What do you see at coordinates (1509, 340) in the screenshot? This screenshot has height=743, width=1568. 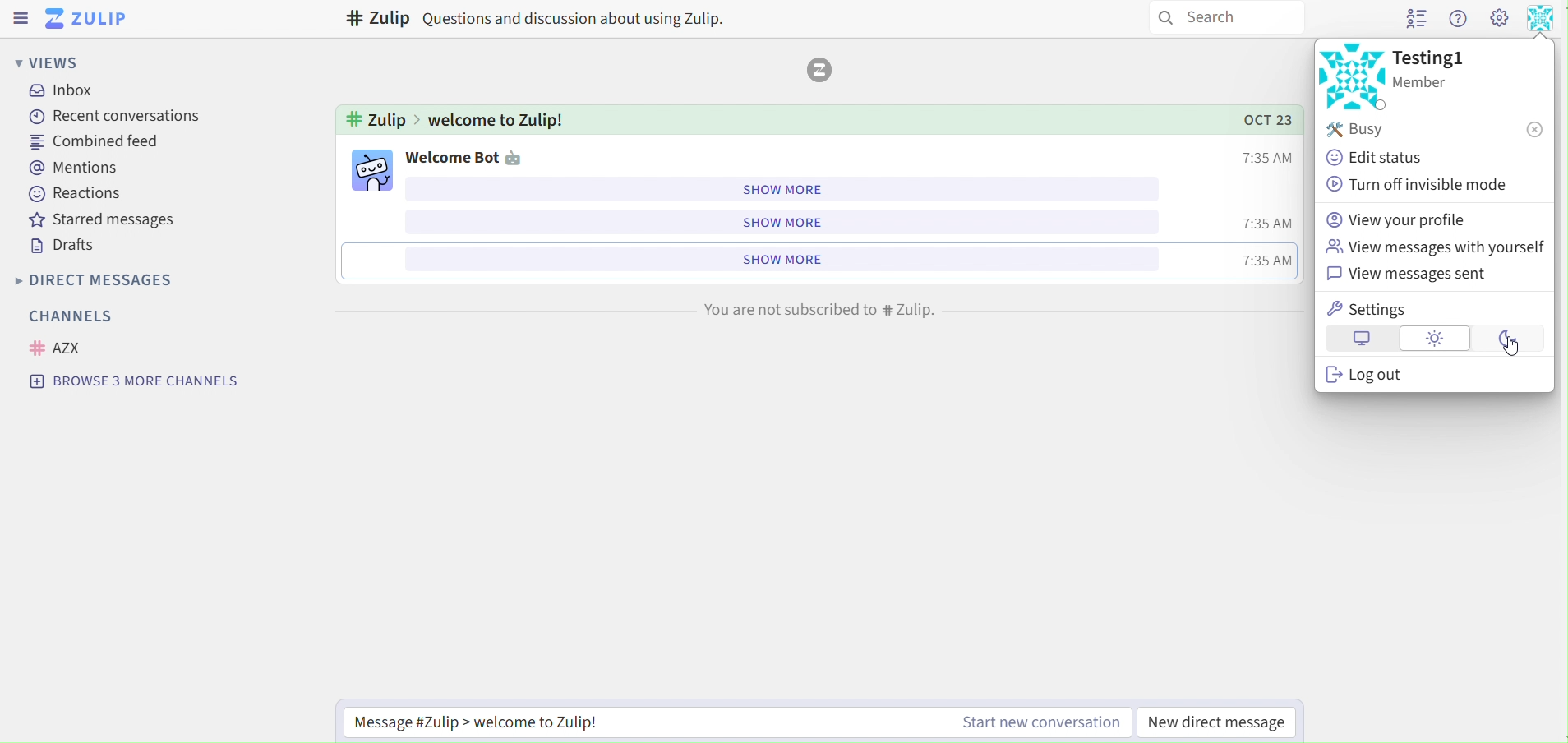 I see `dark theme` at bounding box center [1509, 340].